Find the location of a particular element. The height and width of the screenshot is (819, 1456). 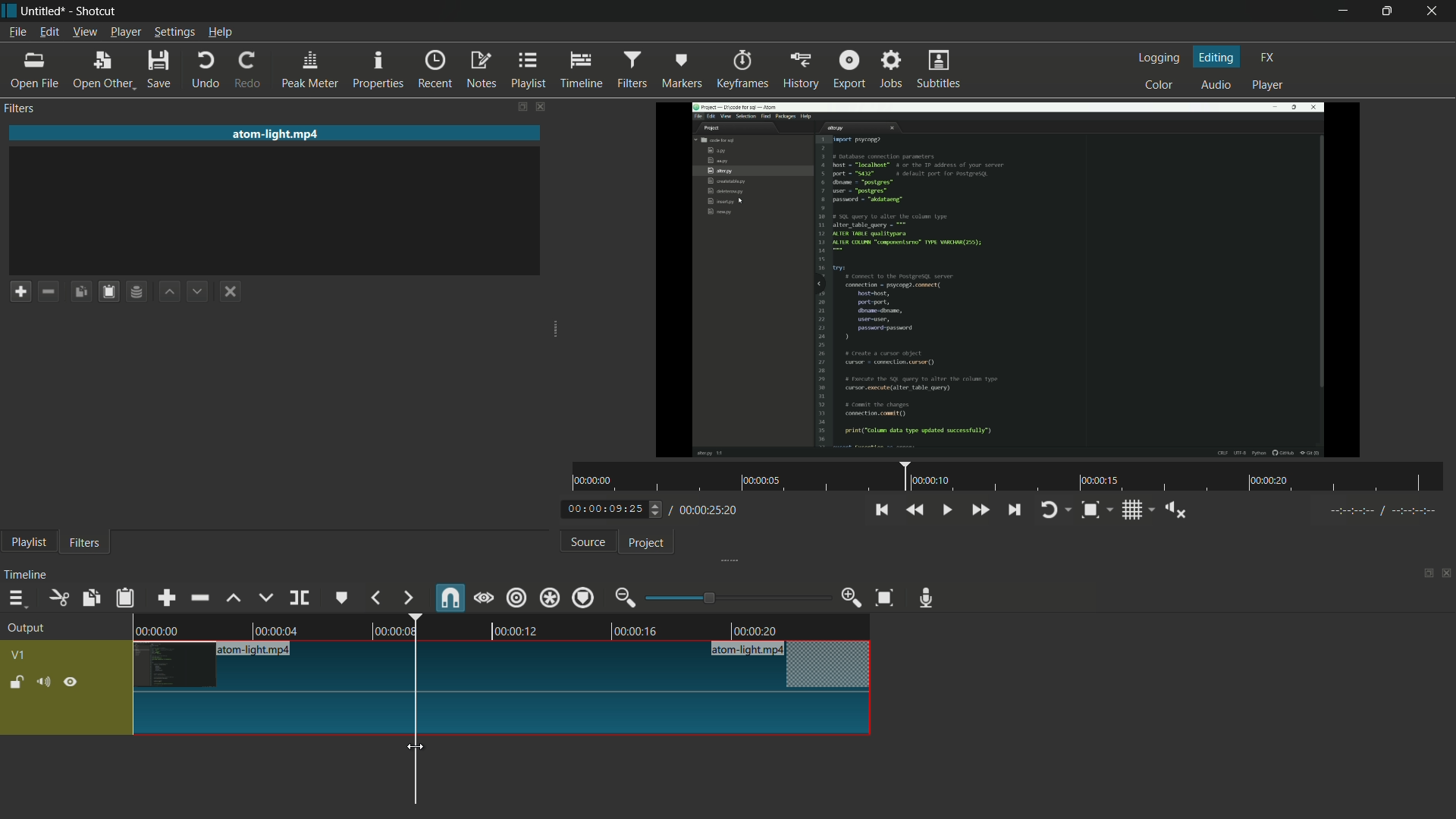

change layout is located at coordinates (516, 106).